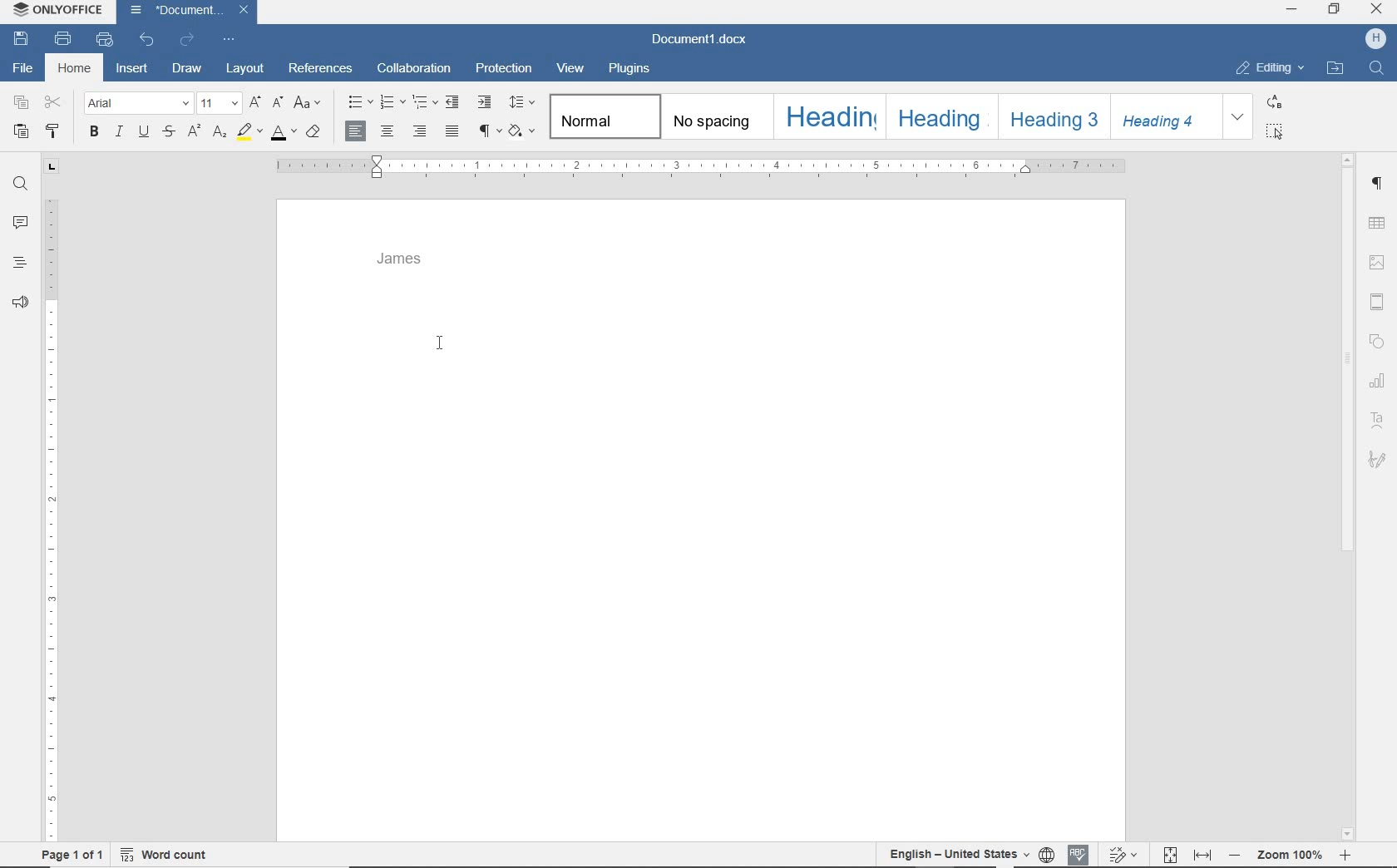 The image size is (1397, 868). I want to click on cut, so click(54, 103).